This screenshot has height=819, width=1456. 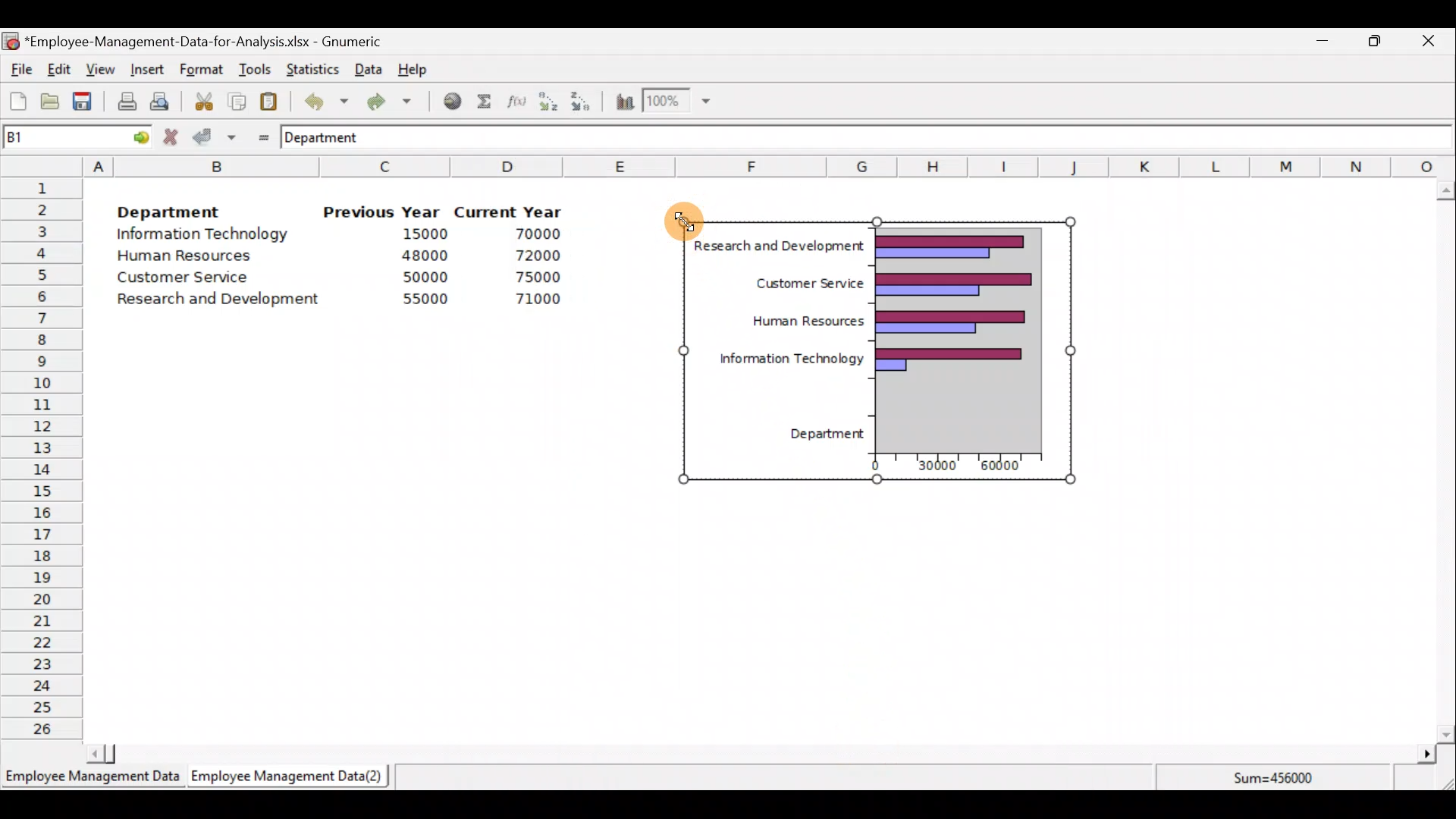 What do you see at coordinates (54, 103) in the screenshot?
I see `Open a file` at bounding box center [54, 103].